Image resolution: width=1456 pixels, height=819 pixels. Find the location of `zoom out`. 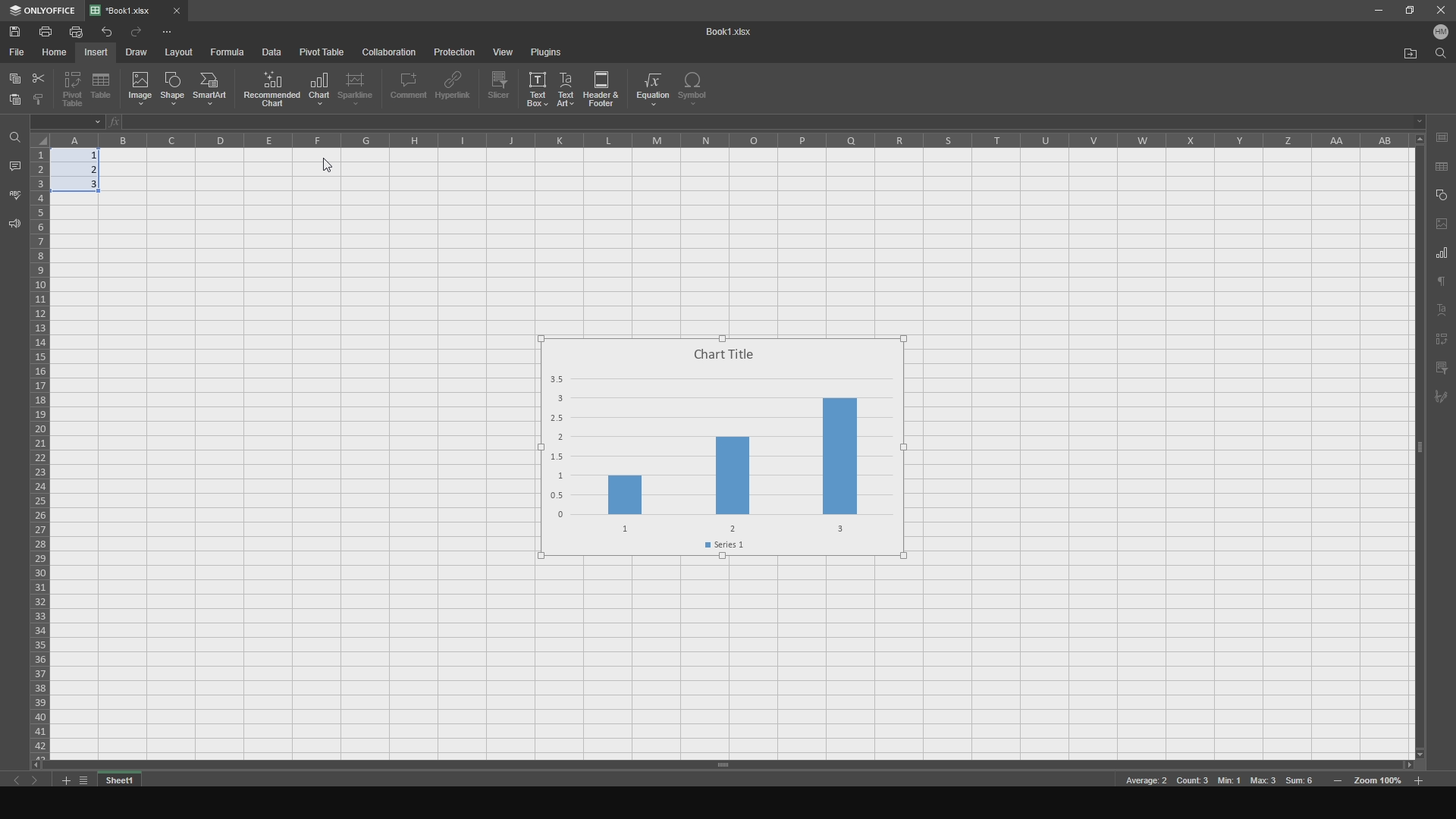

zoom out is located at coordinates (1420, 779).